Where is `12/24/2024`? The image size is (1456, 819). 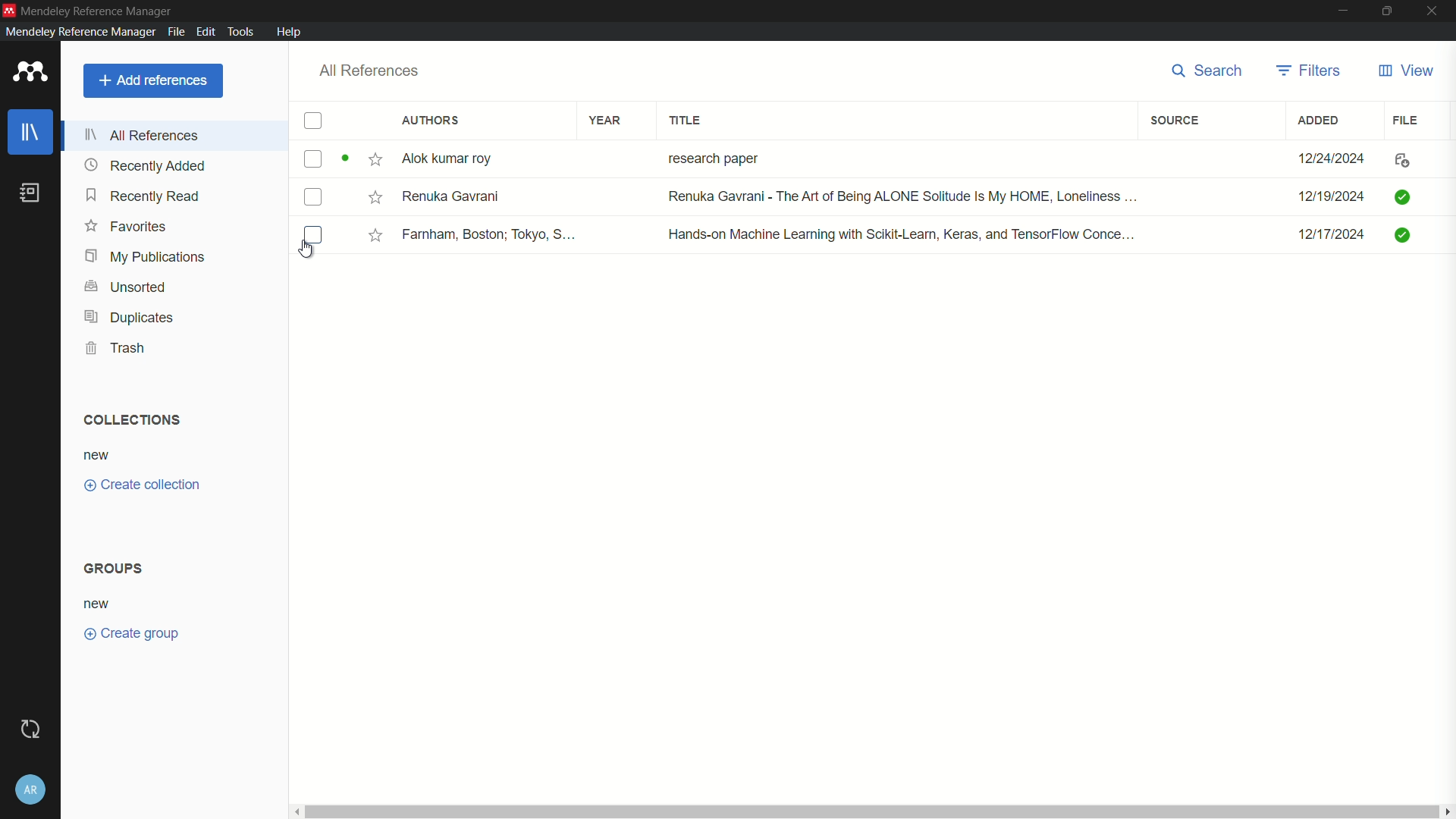
12/24/2024 is located at coordinates (1326, 155).